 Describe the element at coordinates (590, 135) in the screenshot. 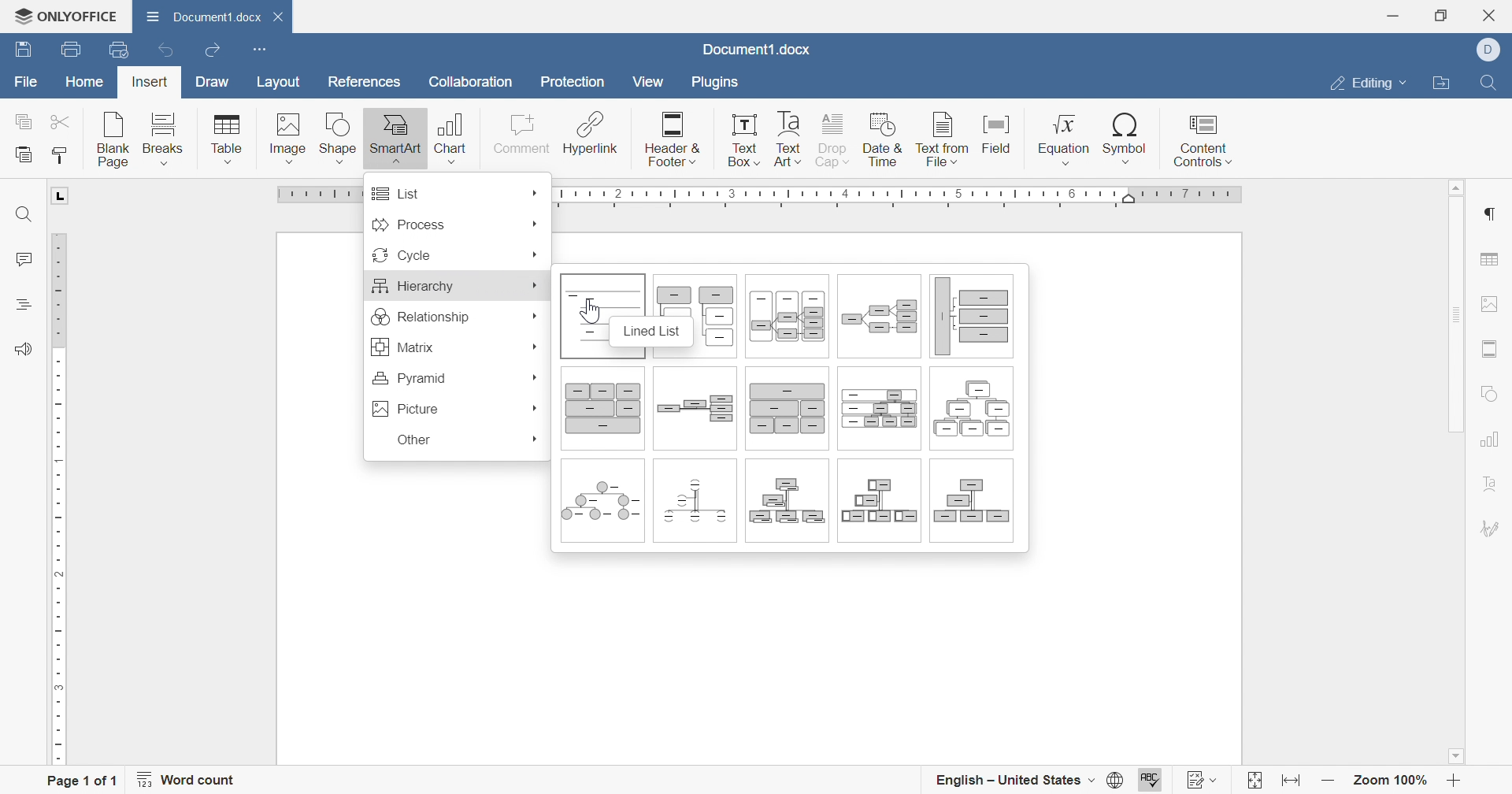

I see `Hyperlink` at that location.